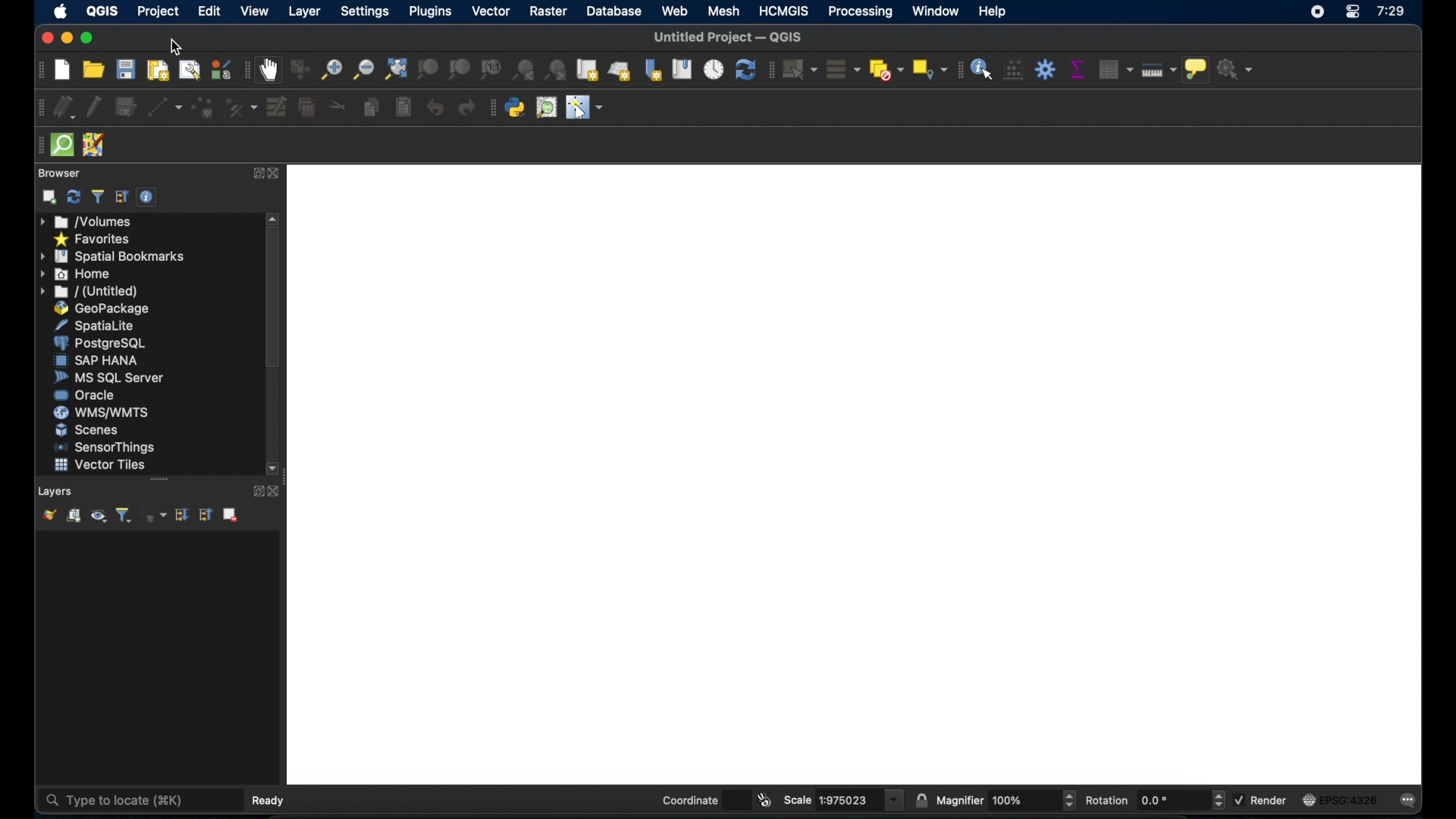  Describe the element at coordinates (219, 69) in the screenshot. I see `style manager` at that location.